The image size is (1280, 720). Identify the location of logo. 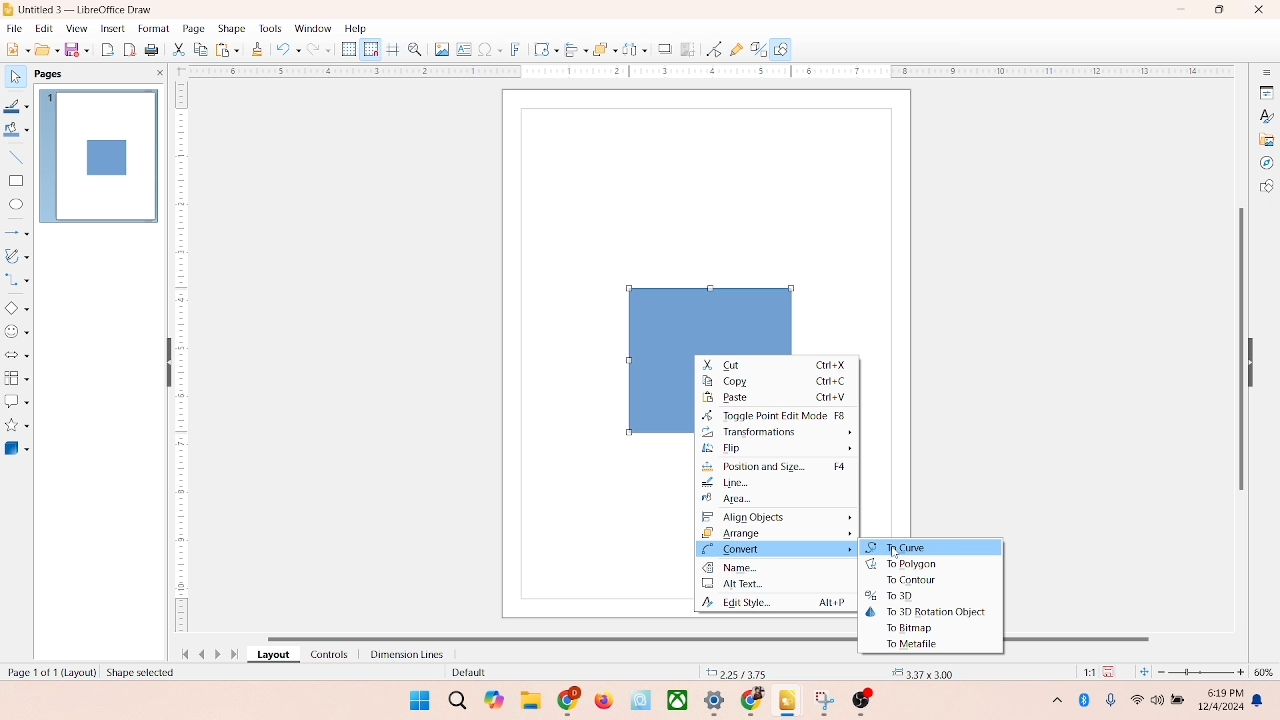
(9, 9).